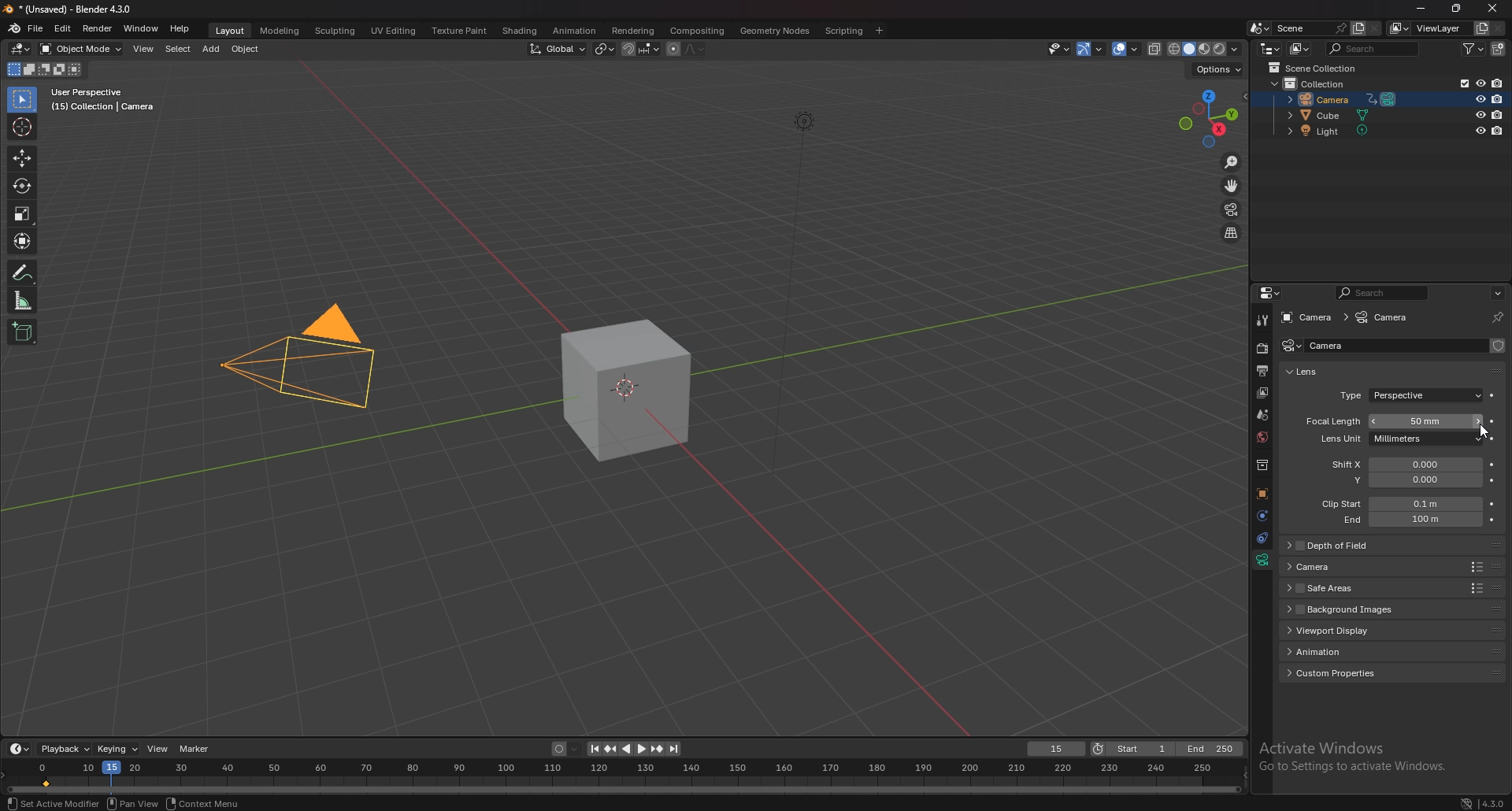 The height and width of the screenshot is (811, 1512). What do you see at coordinates (1410, 397) in the screenshot?
I see `type` at bounding box center [1410, 397].